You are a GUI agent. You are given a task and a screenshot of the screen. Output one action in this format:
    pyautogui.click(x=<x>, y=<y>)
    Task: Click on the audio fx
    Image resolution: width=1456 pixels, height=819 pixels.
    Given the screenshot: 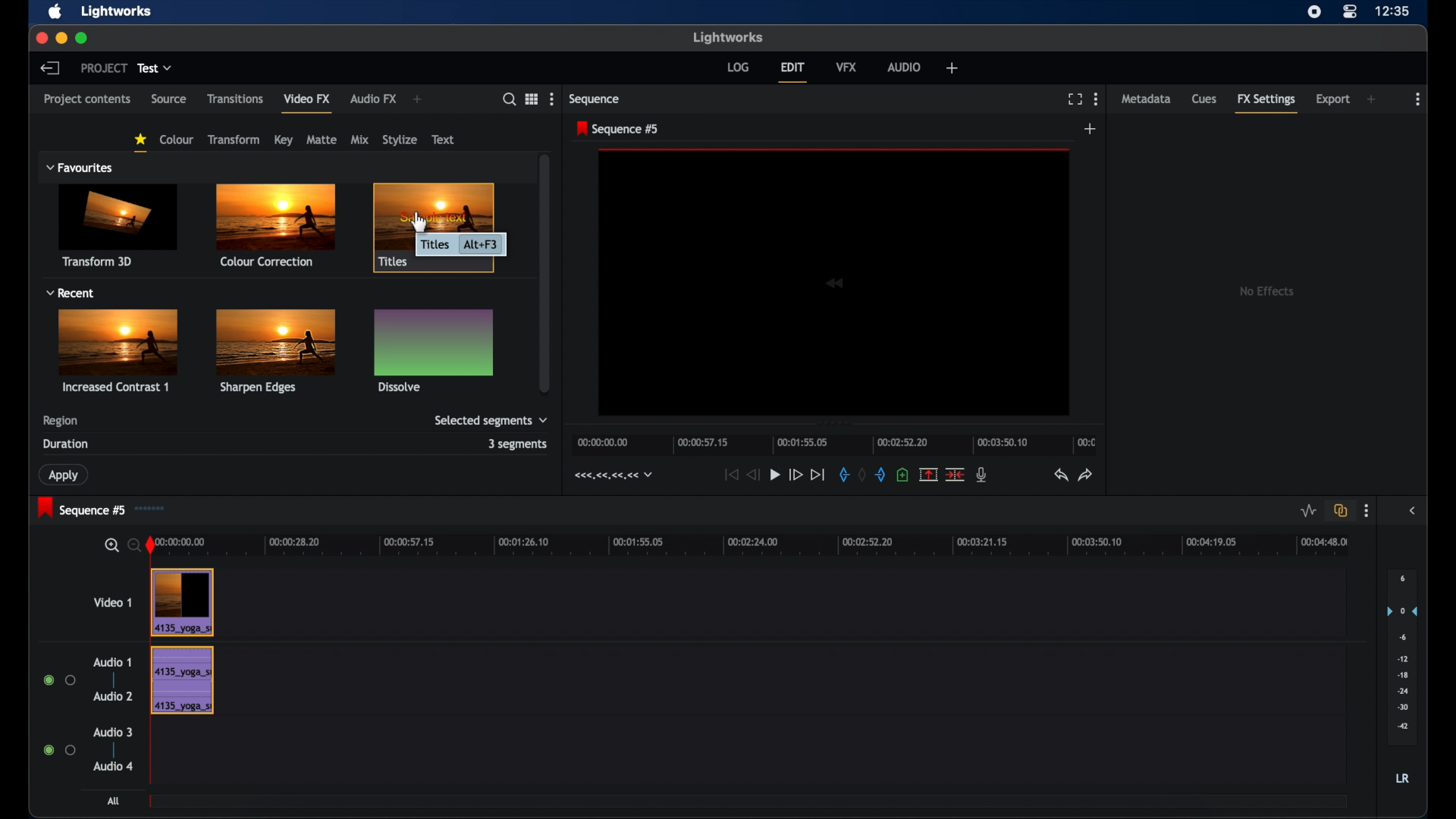 What is the action you would take?
    pyautogui.click(x=375, y=99)
    